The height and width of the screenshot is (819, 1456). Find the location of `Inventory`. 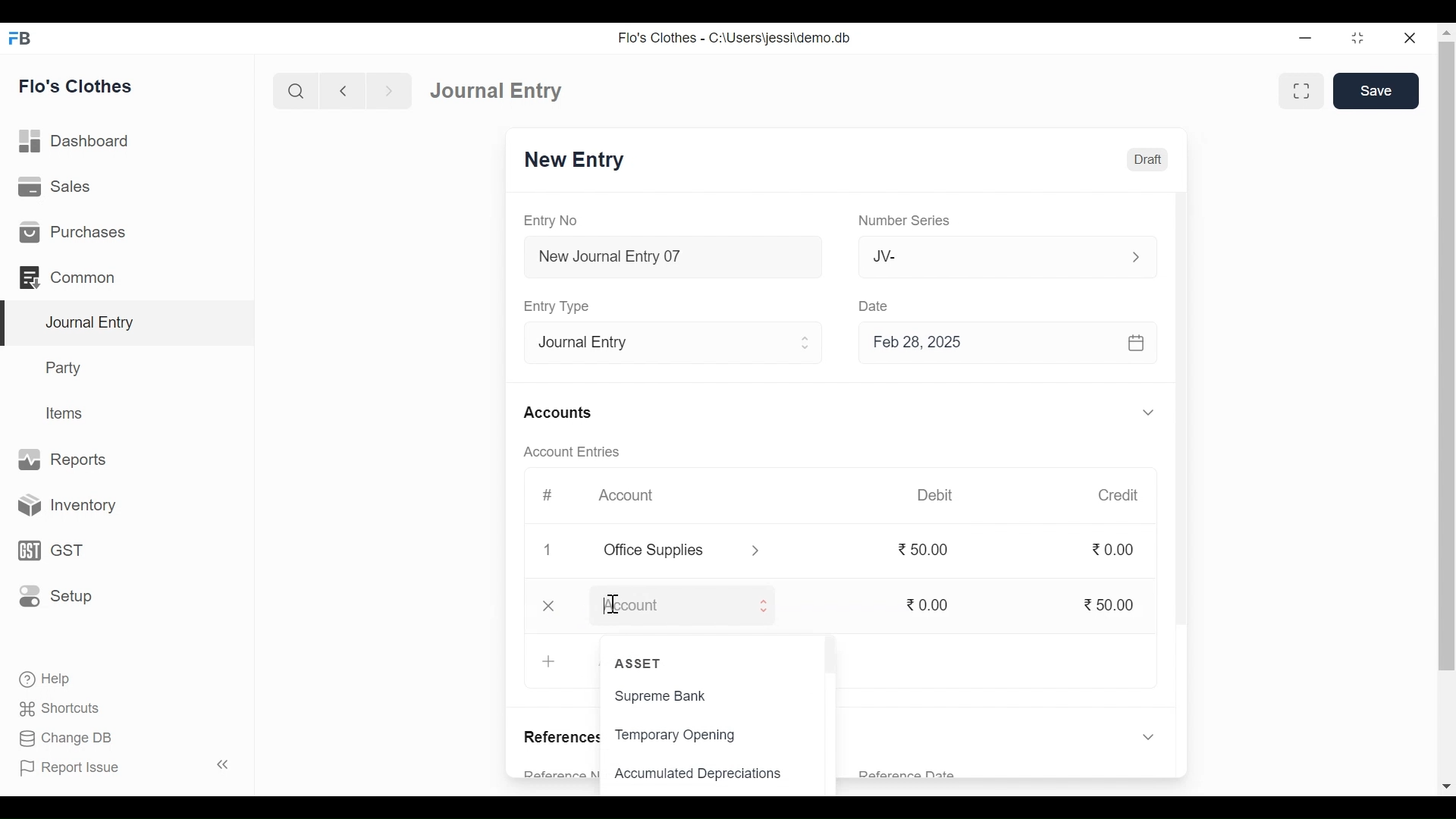

Inventory is located at coordinates (61, 507).